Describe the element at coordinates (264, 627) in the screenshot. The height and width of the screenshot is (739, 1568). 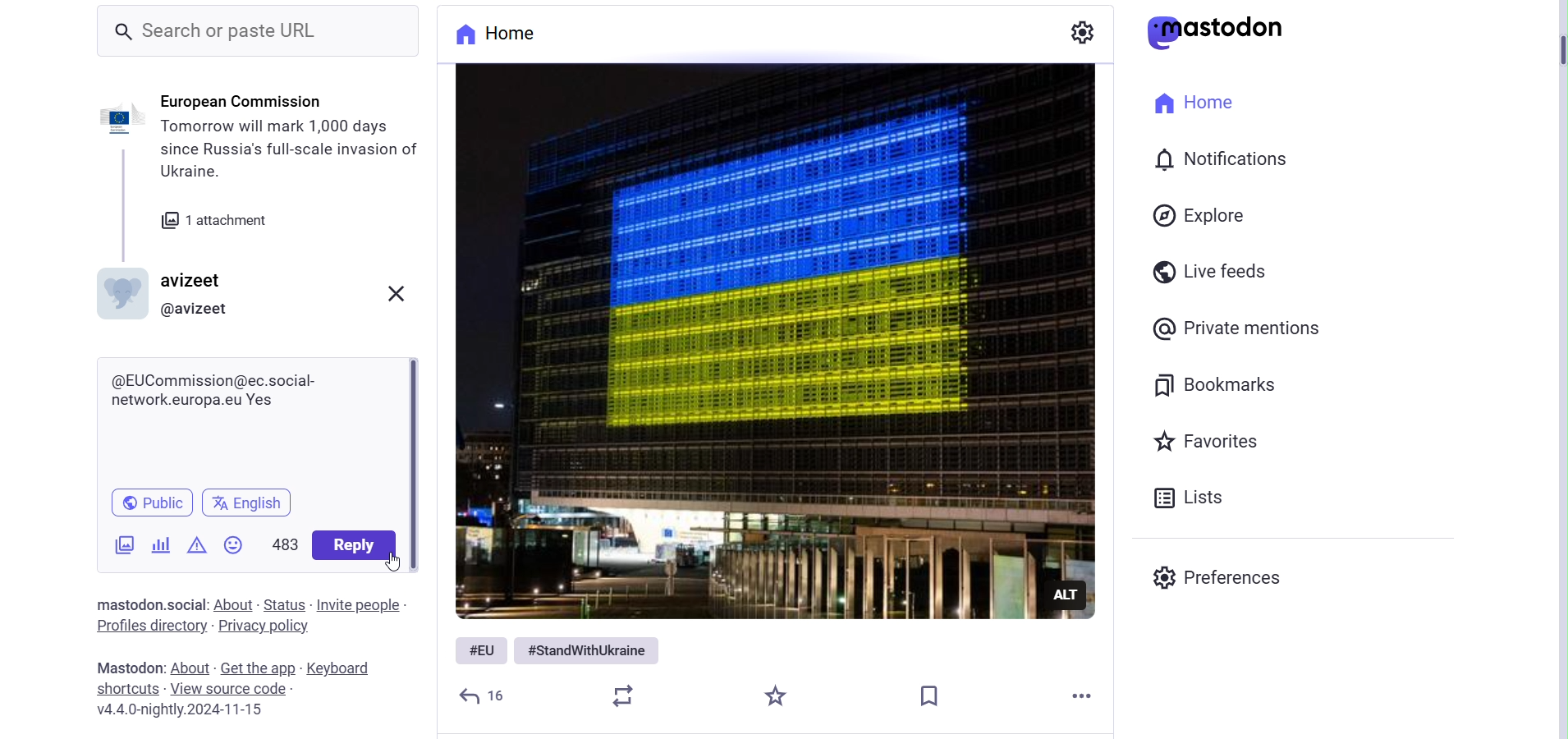
I see `Privacy Policy` at that location.